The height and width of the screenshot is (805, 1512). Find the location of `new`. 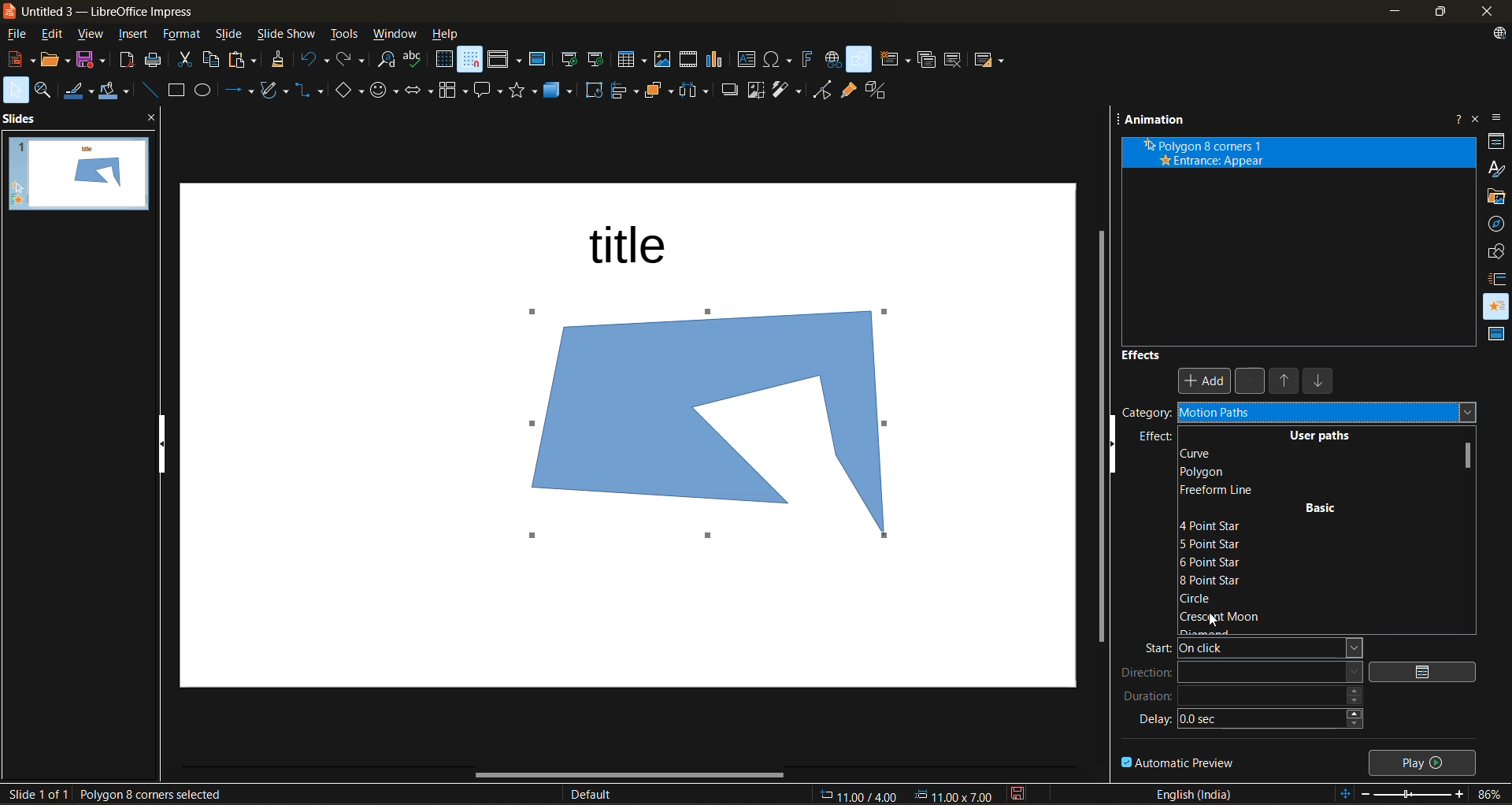

new is located at coordinates (19, 59).